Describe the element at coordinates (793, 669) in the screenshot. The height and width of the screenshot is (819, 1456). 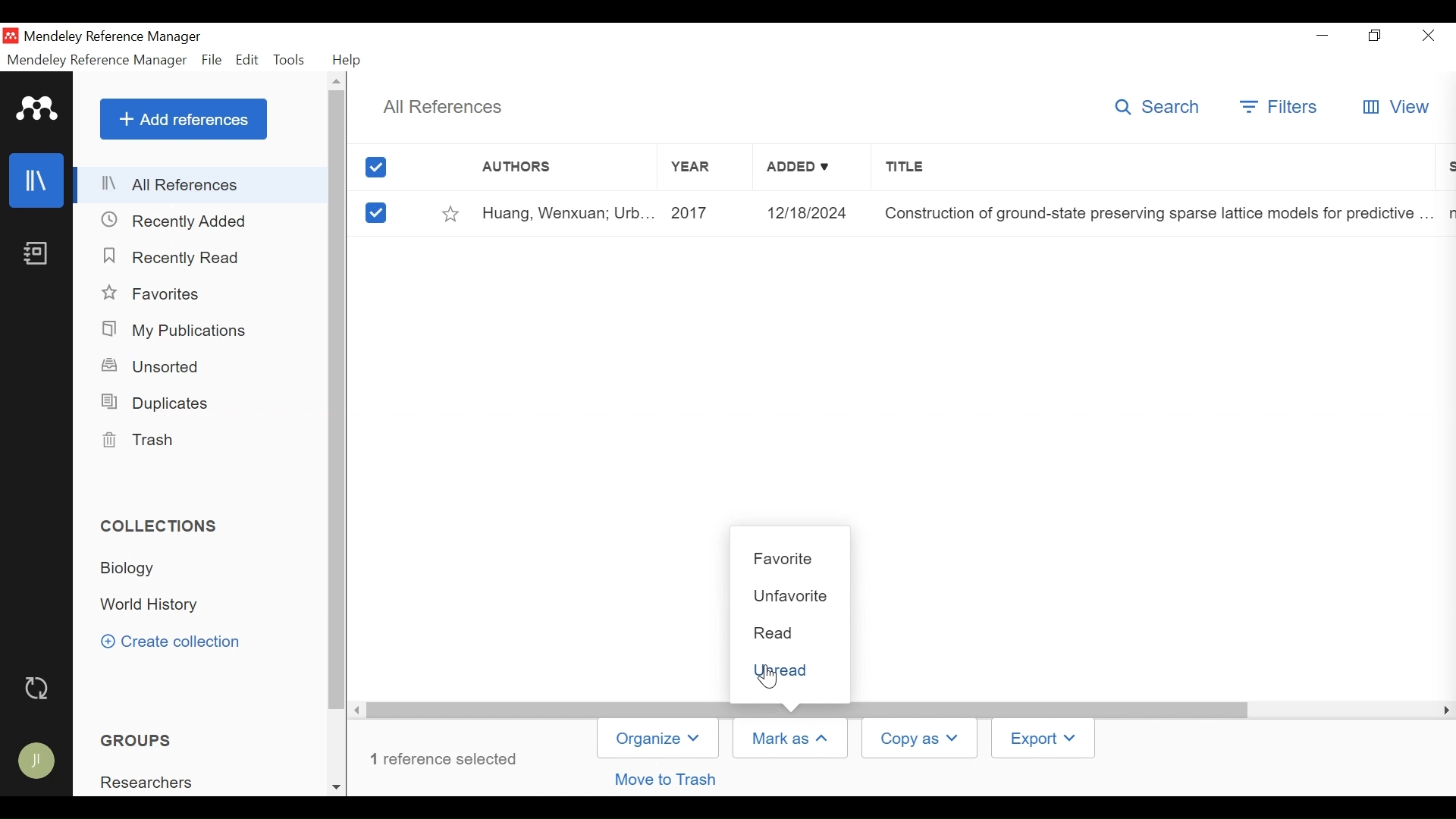
I see `Unread` at that location.